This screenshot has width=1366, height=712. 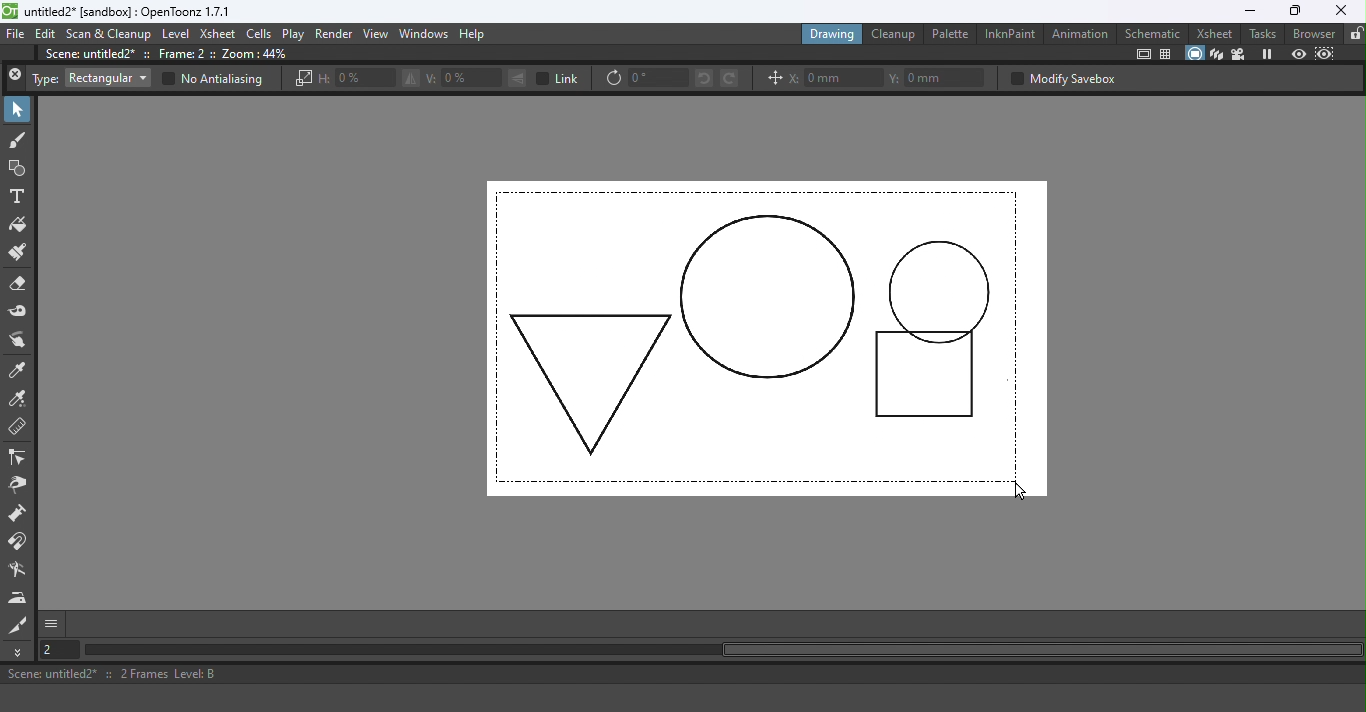 What do you see at coordinates (1213, 33) in the screenshot?
I see `Xsheet` at bounding box center [1213, 33].